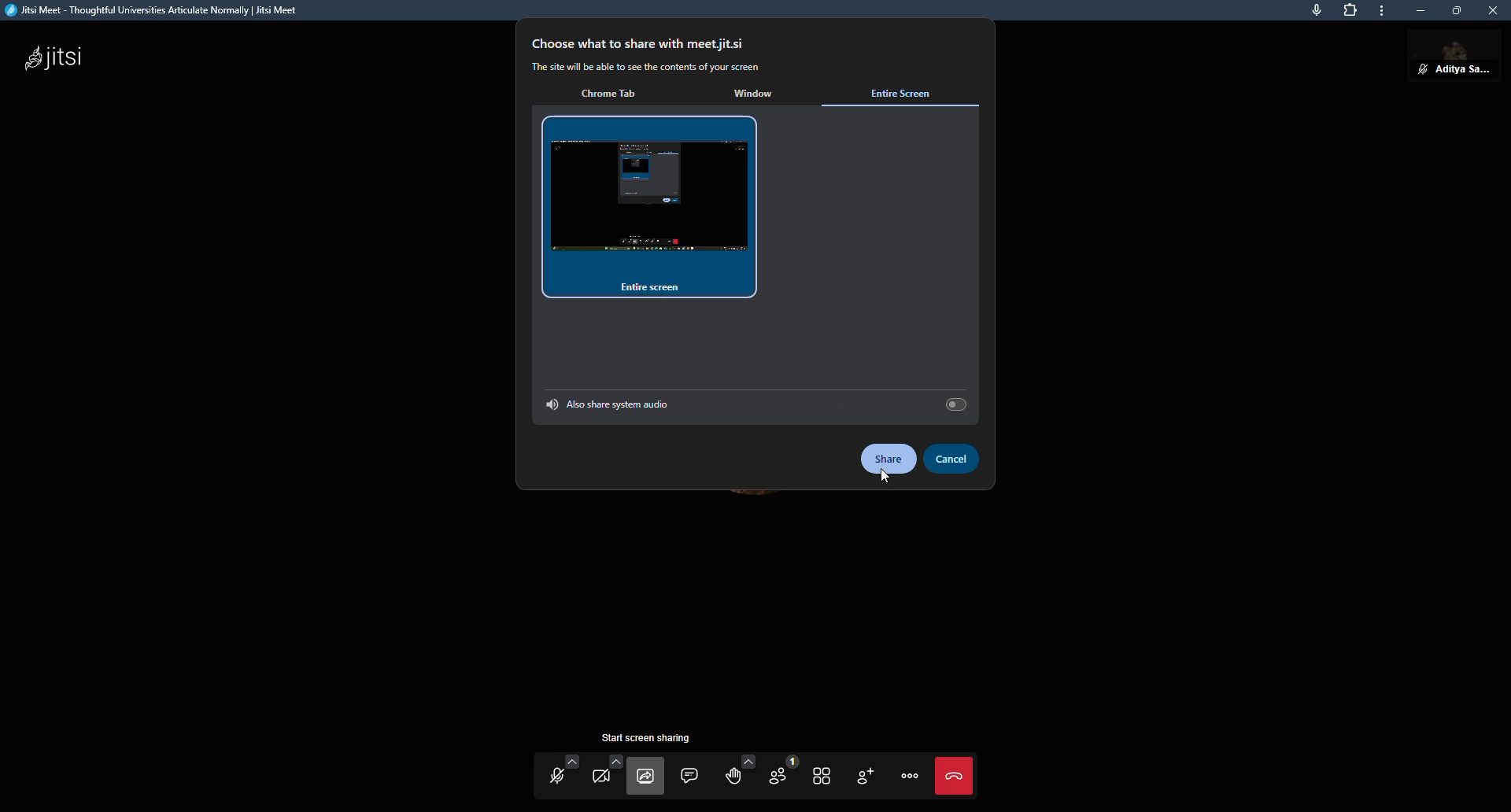 This screenshot has width=1511, height=812. What do you see at coordinates (652, 738) in the screenshot?
I see `start screen sharing` at bounding box center [652, 738].